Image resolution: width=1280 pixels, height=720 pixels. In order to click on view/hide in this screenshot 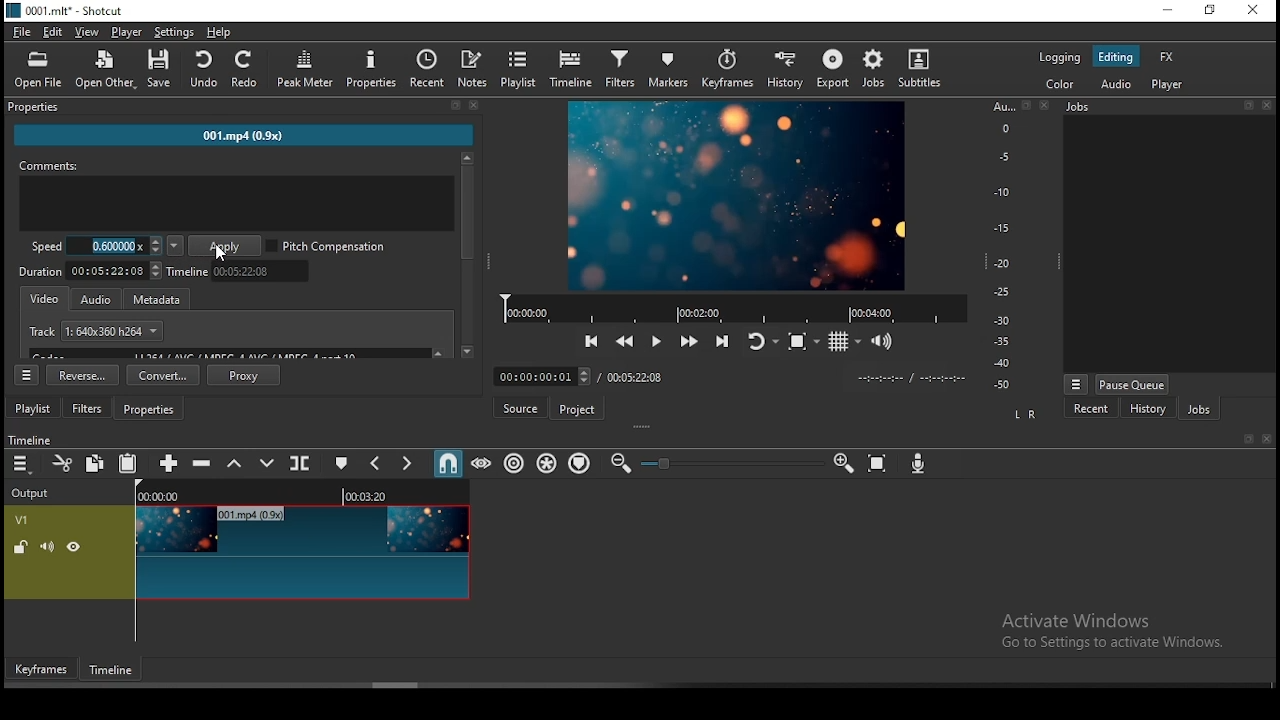, I will do `click(77, 548)`.